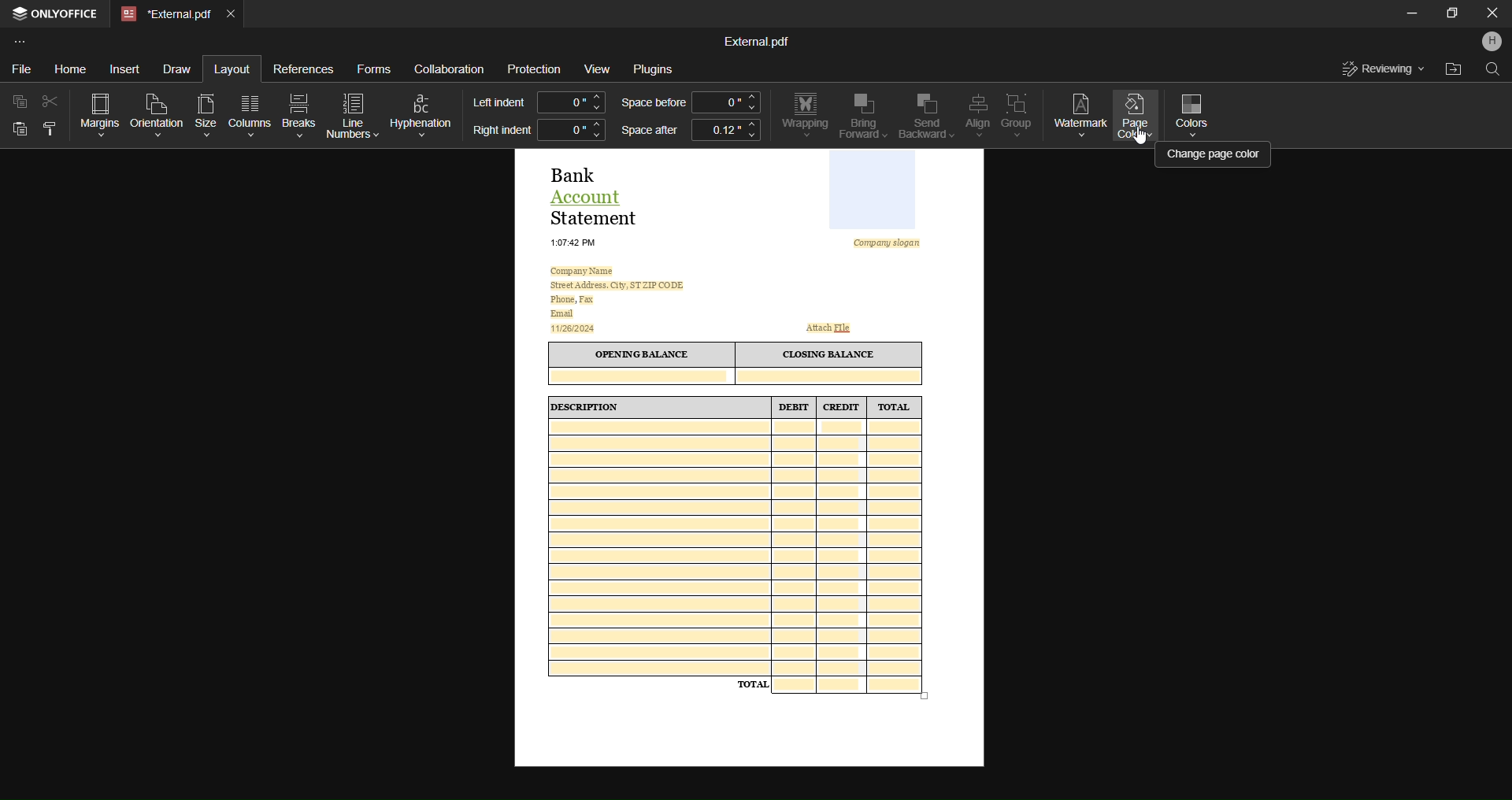 The height and width of the screenshot is (800, 1512). Describe the element at coordinates (180, 67) in the screenshot. I see `Draw` at that location.